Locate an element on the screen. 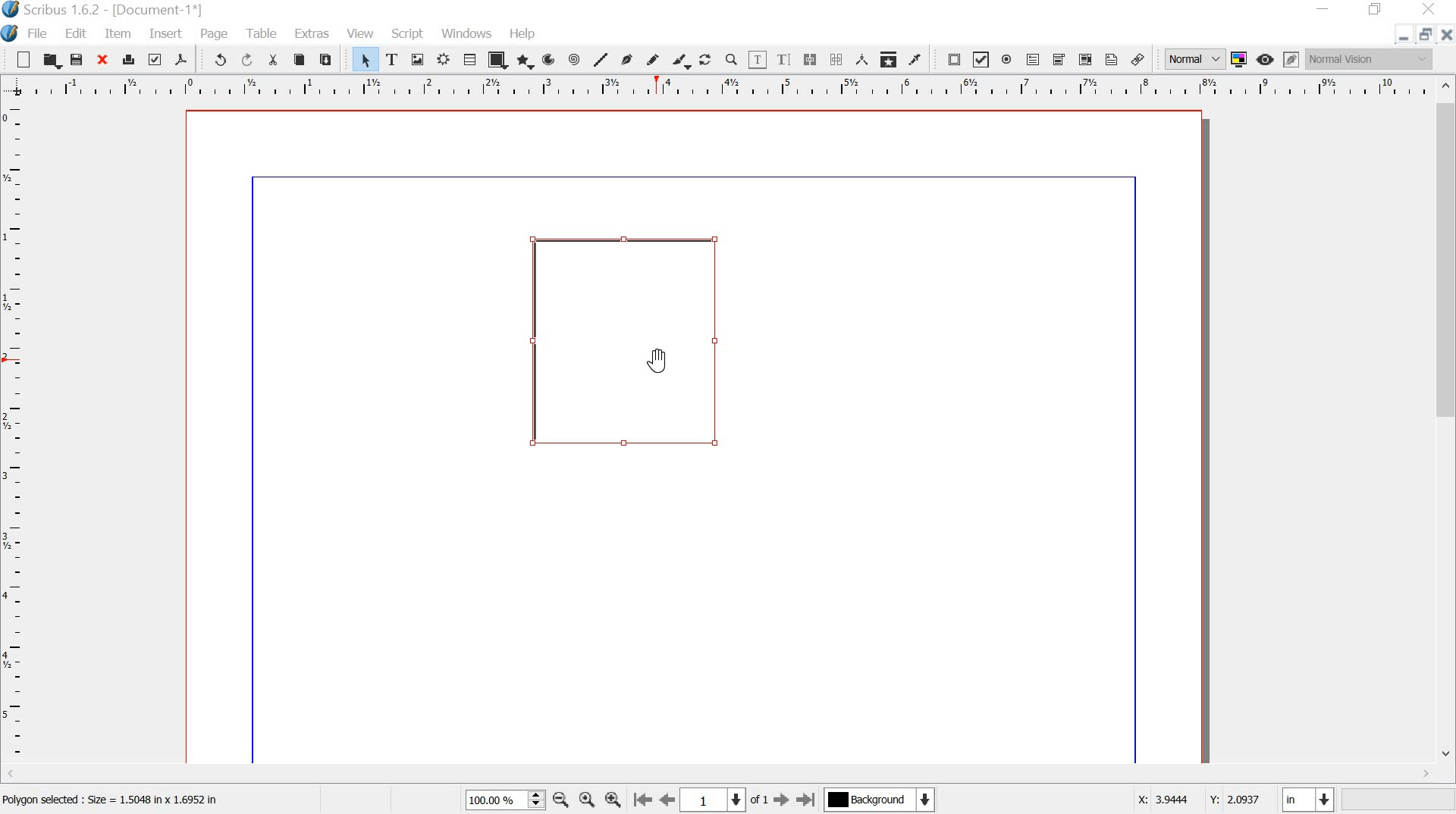  minimize is located at coordinates (1403, 37).